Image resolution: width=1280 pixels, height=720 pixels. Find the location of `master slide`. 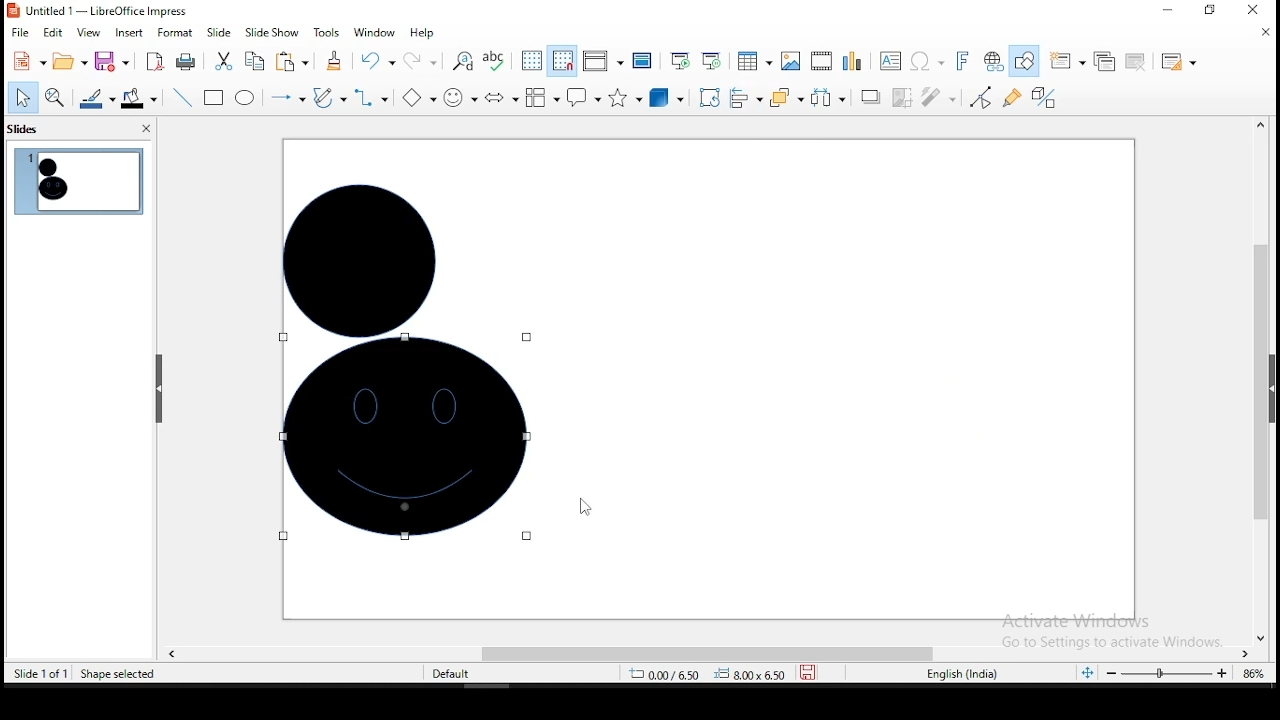

master slide is located at coordinates (641, 61).